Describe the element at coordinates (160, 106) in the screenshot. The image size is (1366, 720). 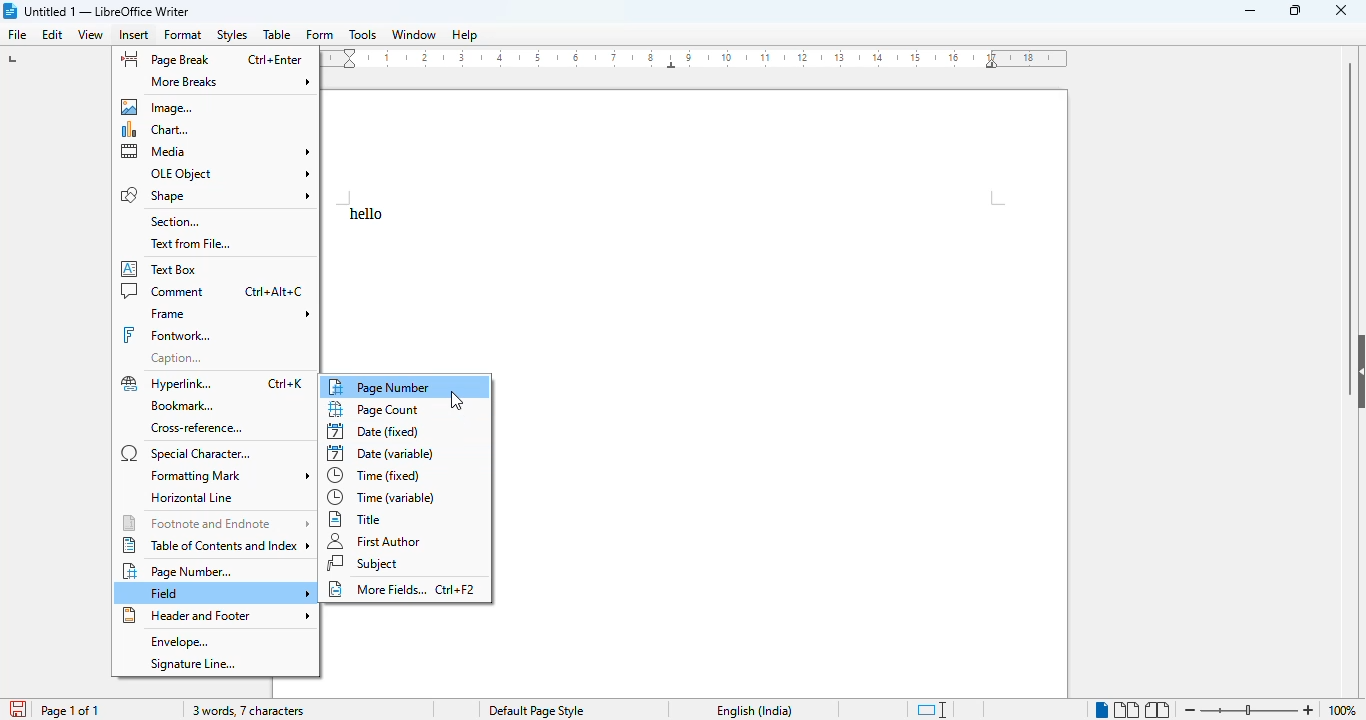
I see `image` at that location.